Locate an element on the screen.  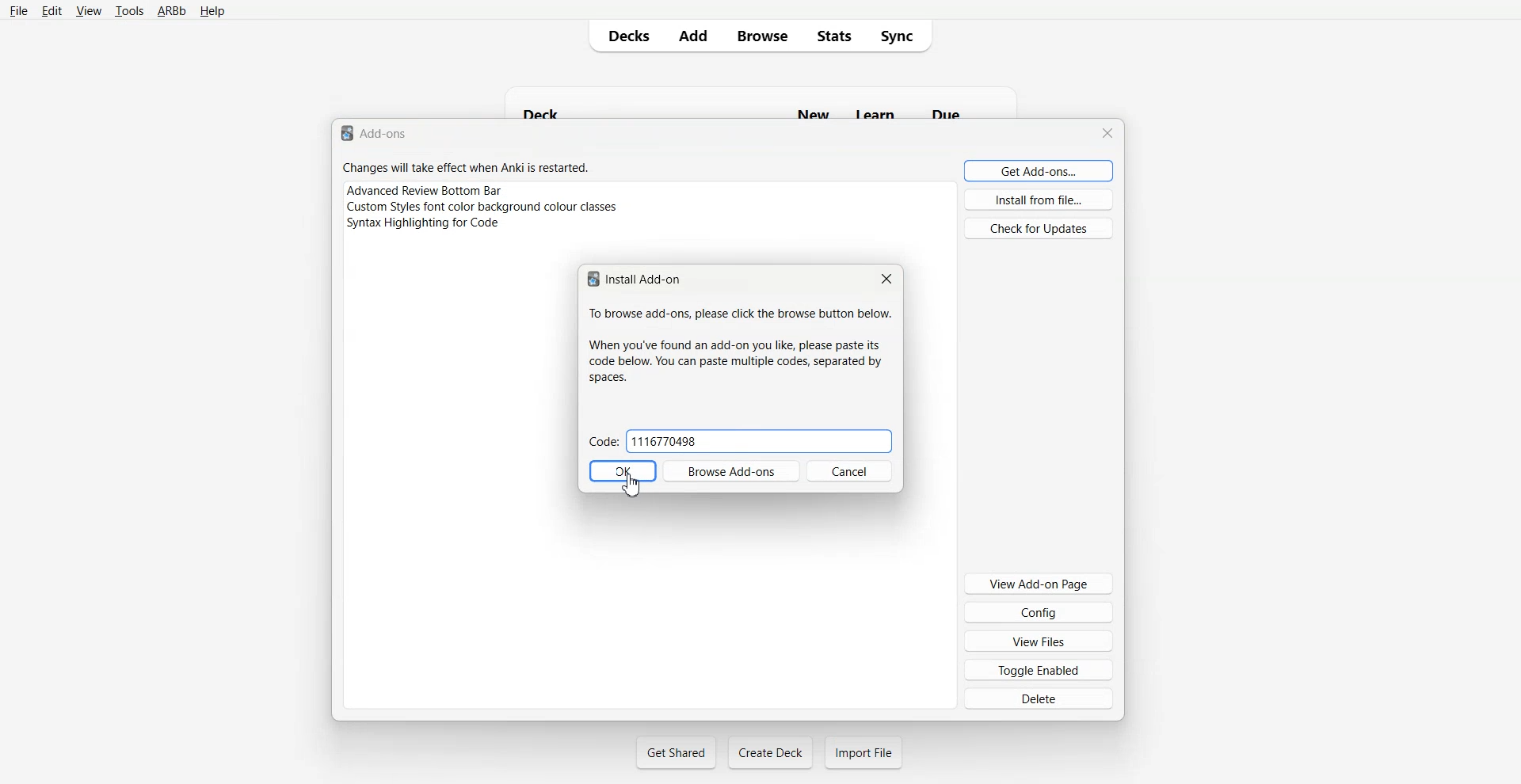
Import File is located at coordinates (863, 752).